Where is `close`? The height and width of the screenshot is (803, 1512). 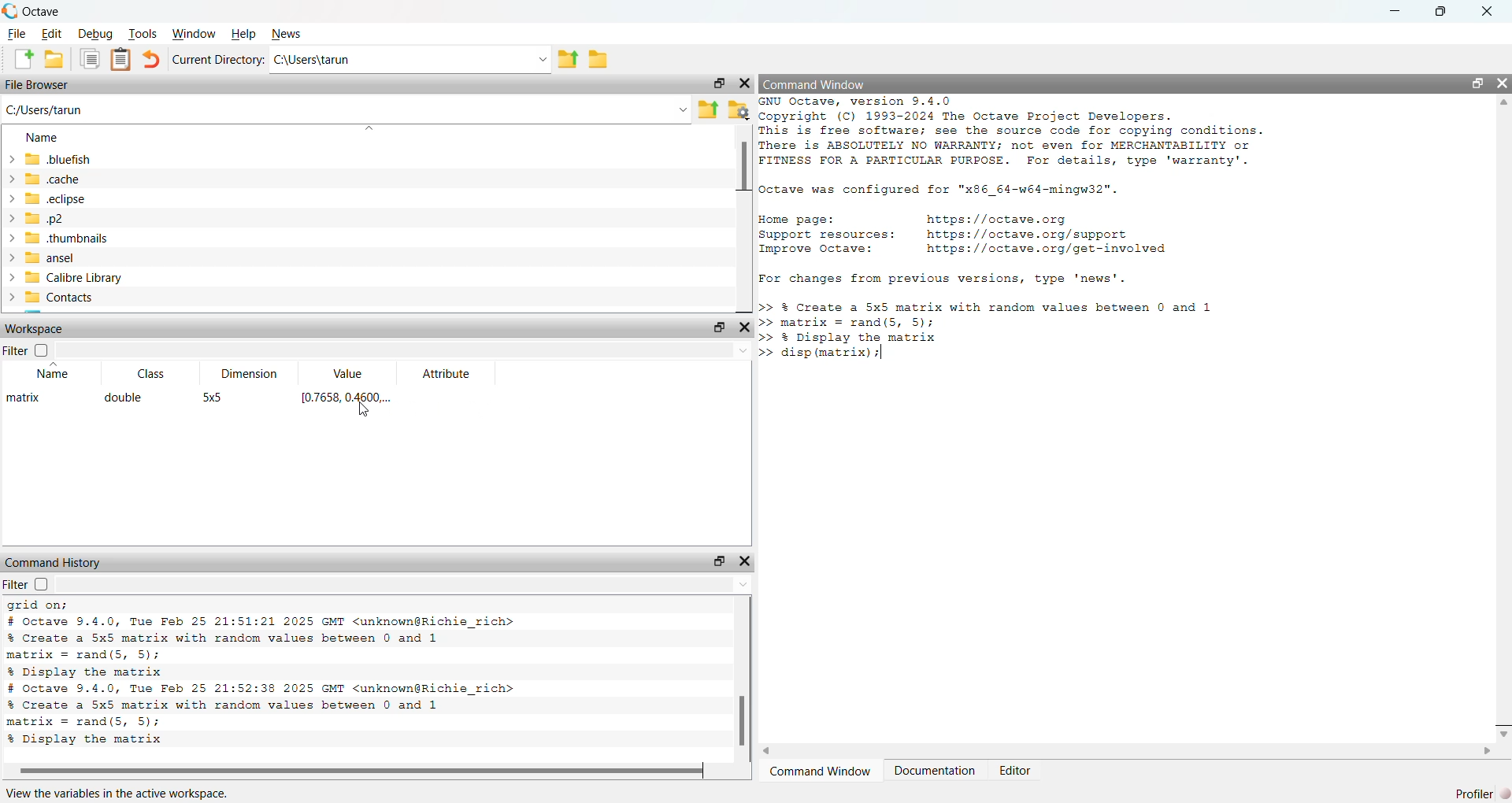 close is located at coordinates (749, 562).